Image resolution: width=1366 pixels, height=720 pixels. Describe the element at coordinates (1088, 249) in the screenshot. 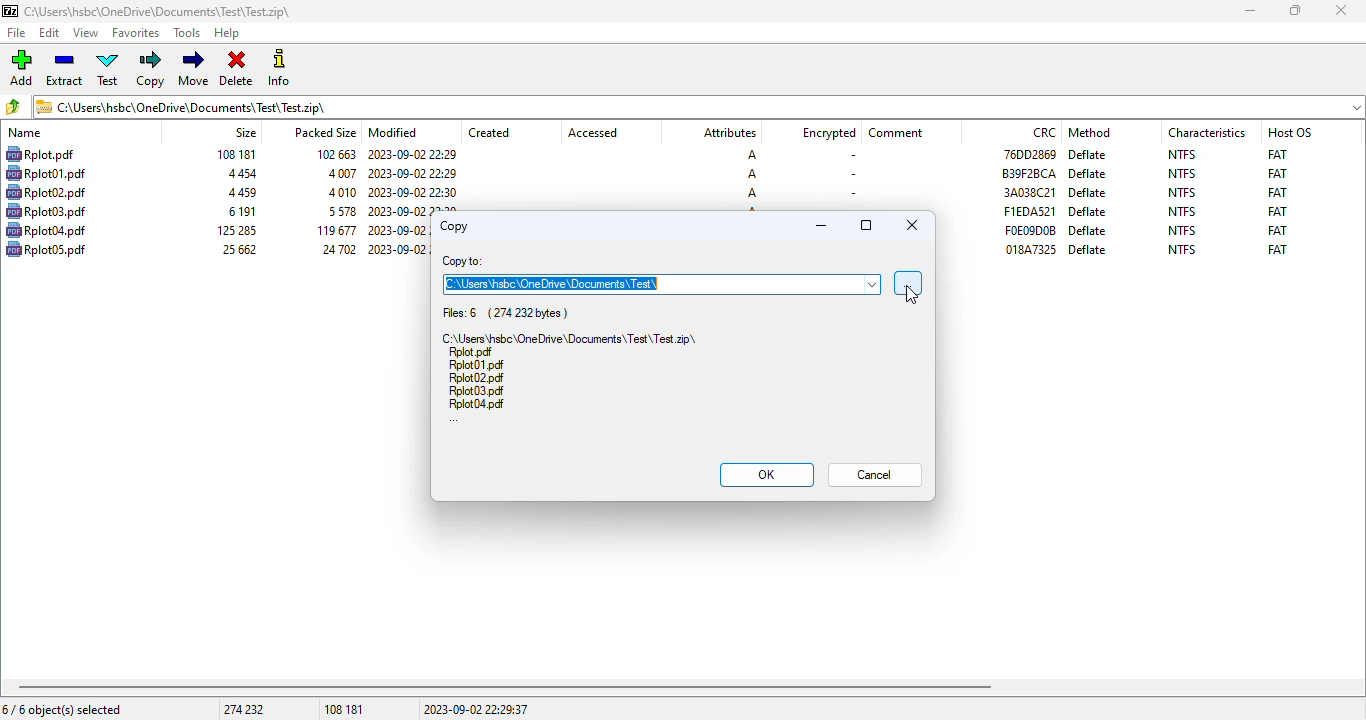

I see `deflate` at that location.